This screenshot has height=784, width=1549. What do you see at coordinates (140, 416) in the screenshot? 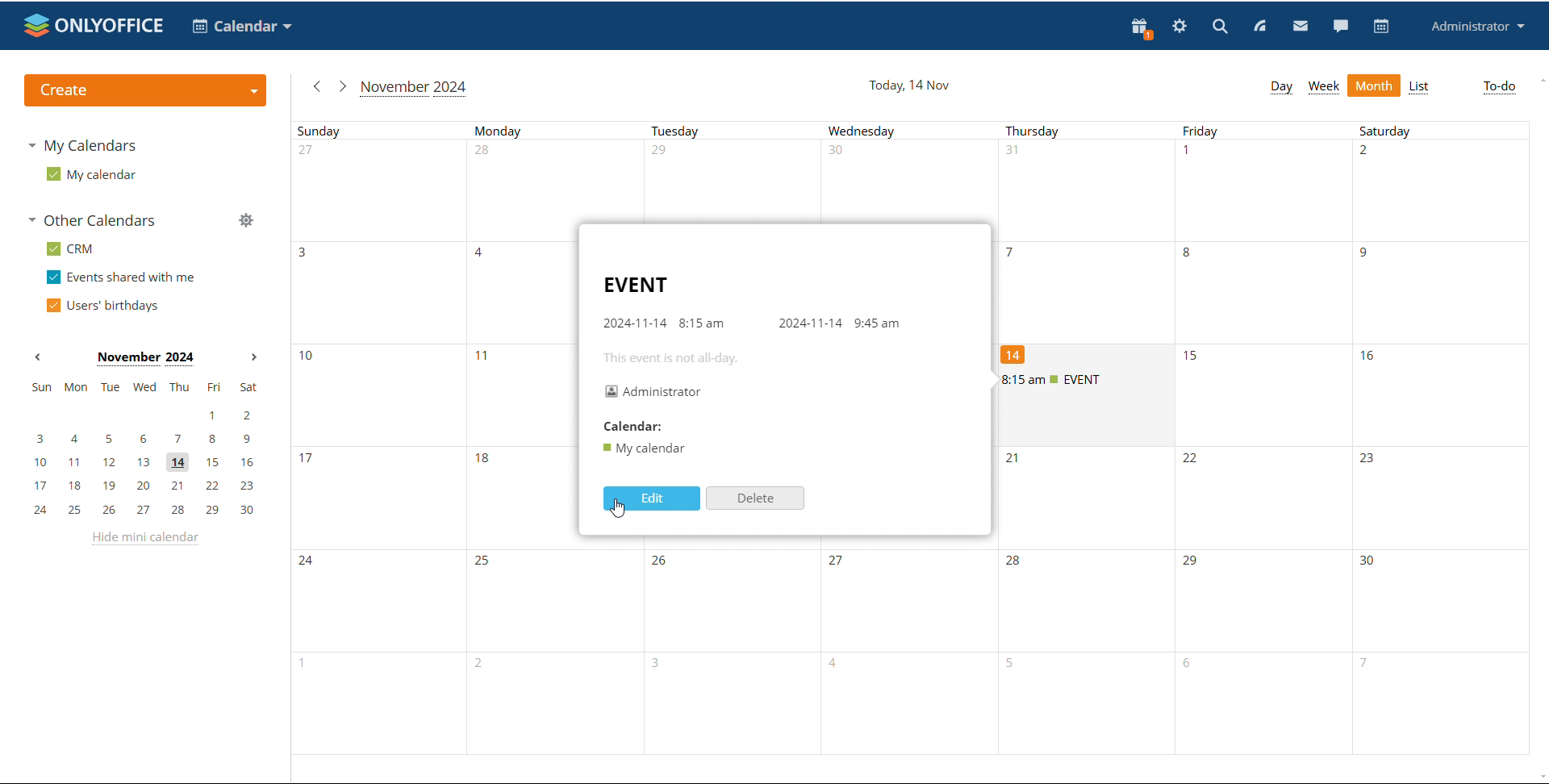
I see `1, 2` at bounding box center [140, 416].